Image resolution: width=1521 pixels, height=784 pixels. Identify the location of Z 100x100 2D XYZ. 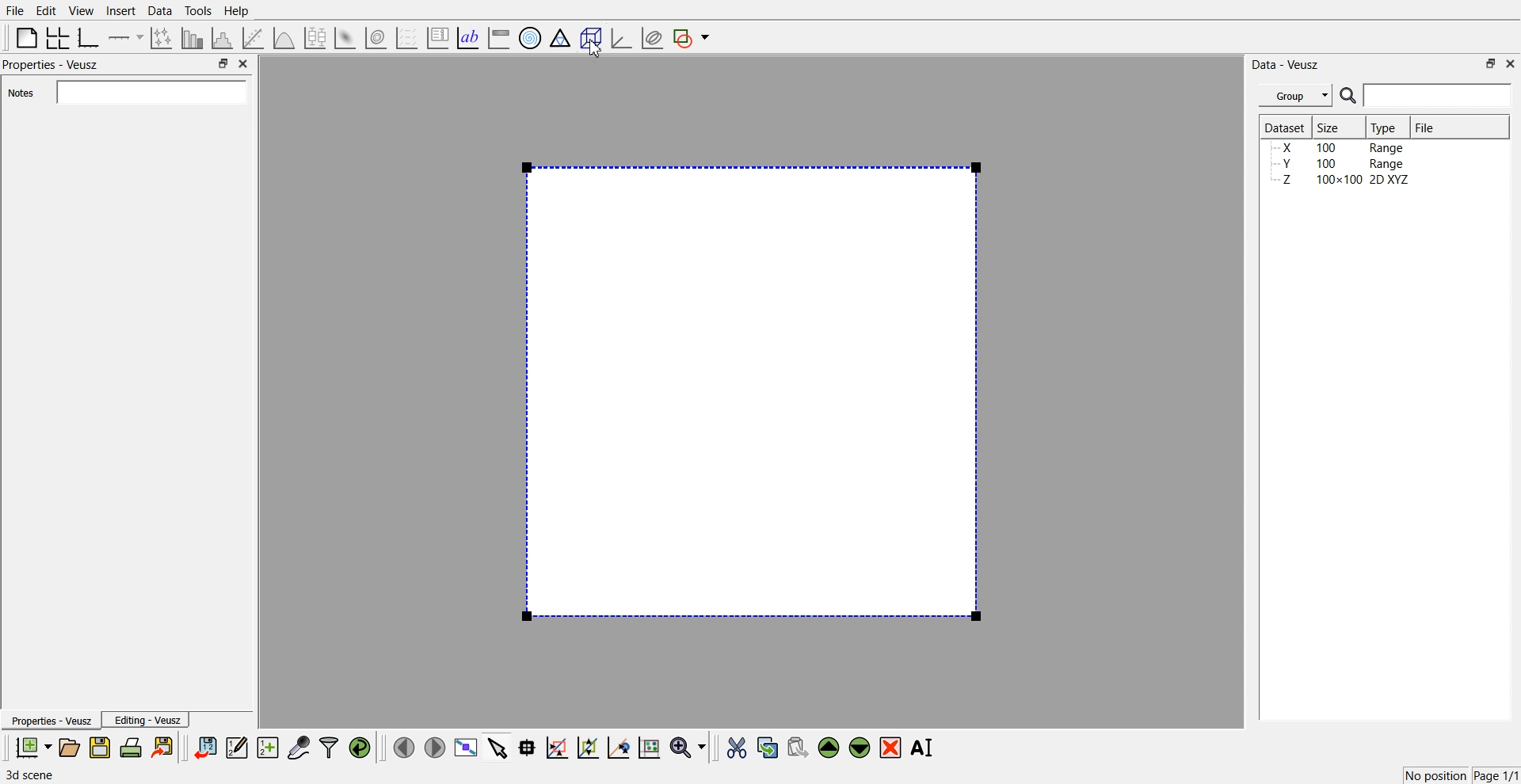
(1343, 180).